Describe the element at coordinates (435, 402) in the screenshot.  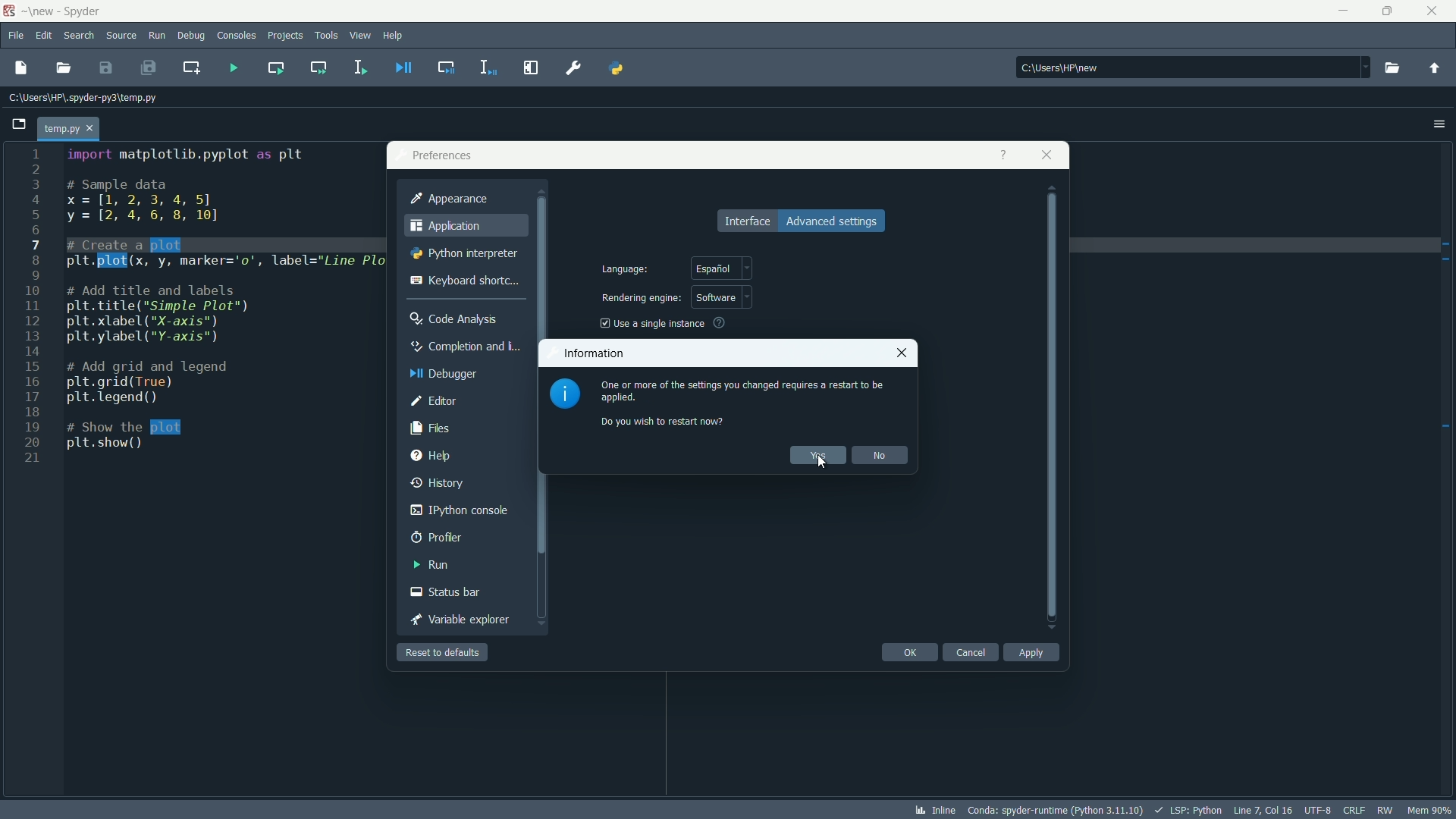
I see `editor` at that location.